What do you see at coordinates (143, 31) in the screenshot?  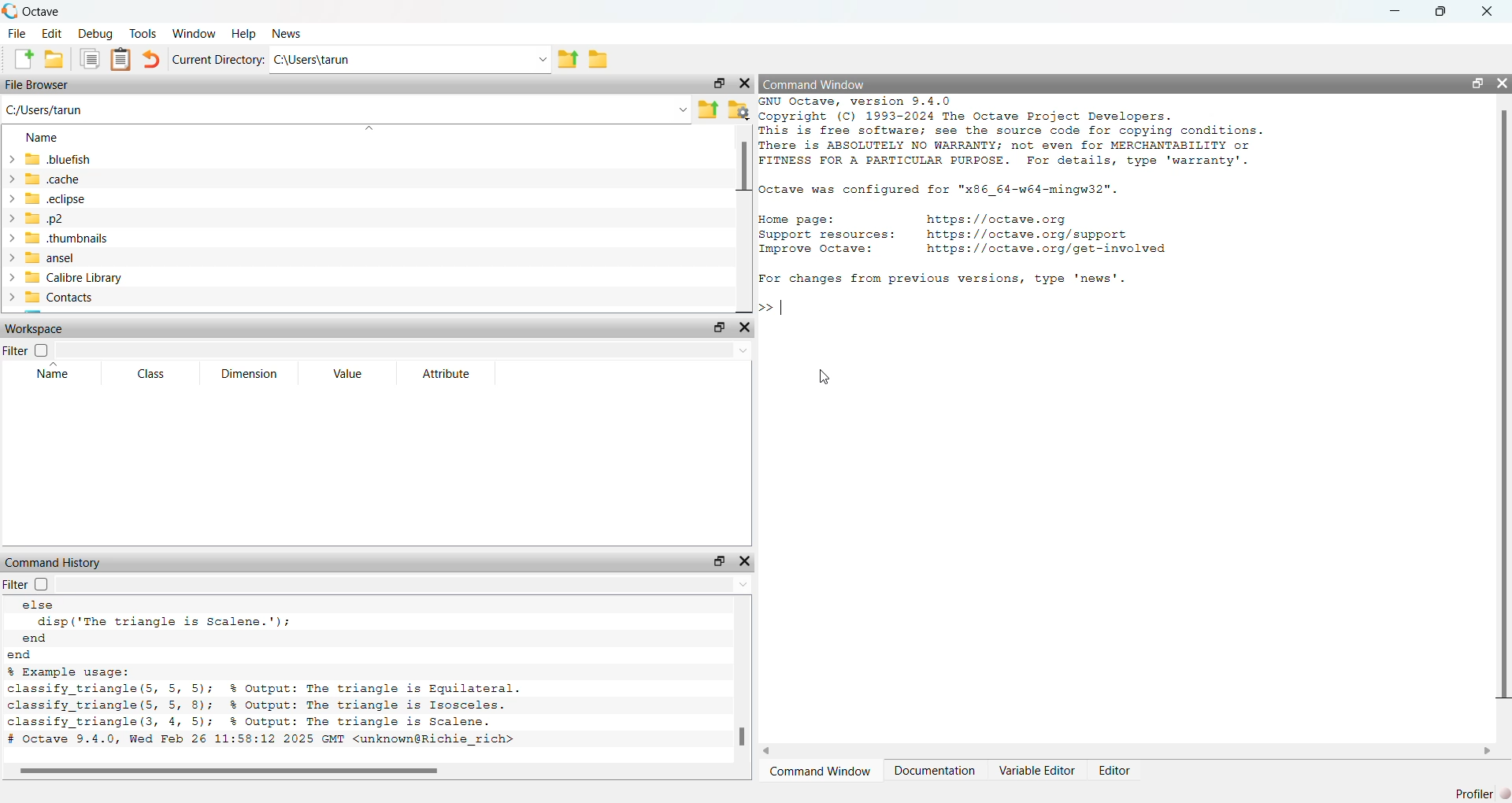 I see `tools` at bounding box center [143, 31].